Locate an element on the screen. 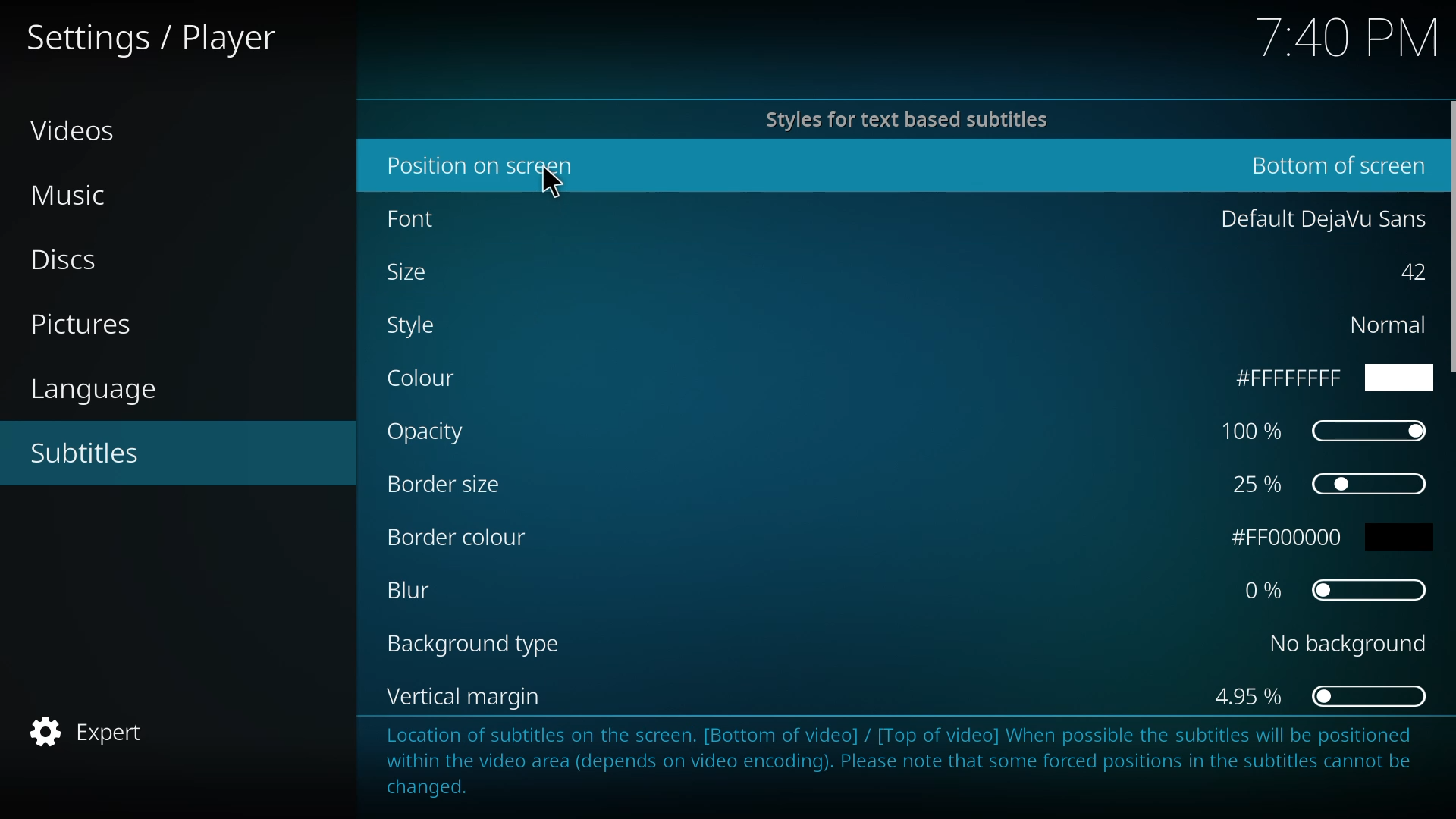  0 is located at coordinates (1335, 588).